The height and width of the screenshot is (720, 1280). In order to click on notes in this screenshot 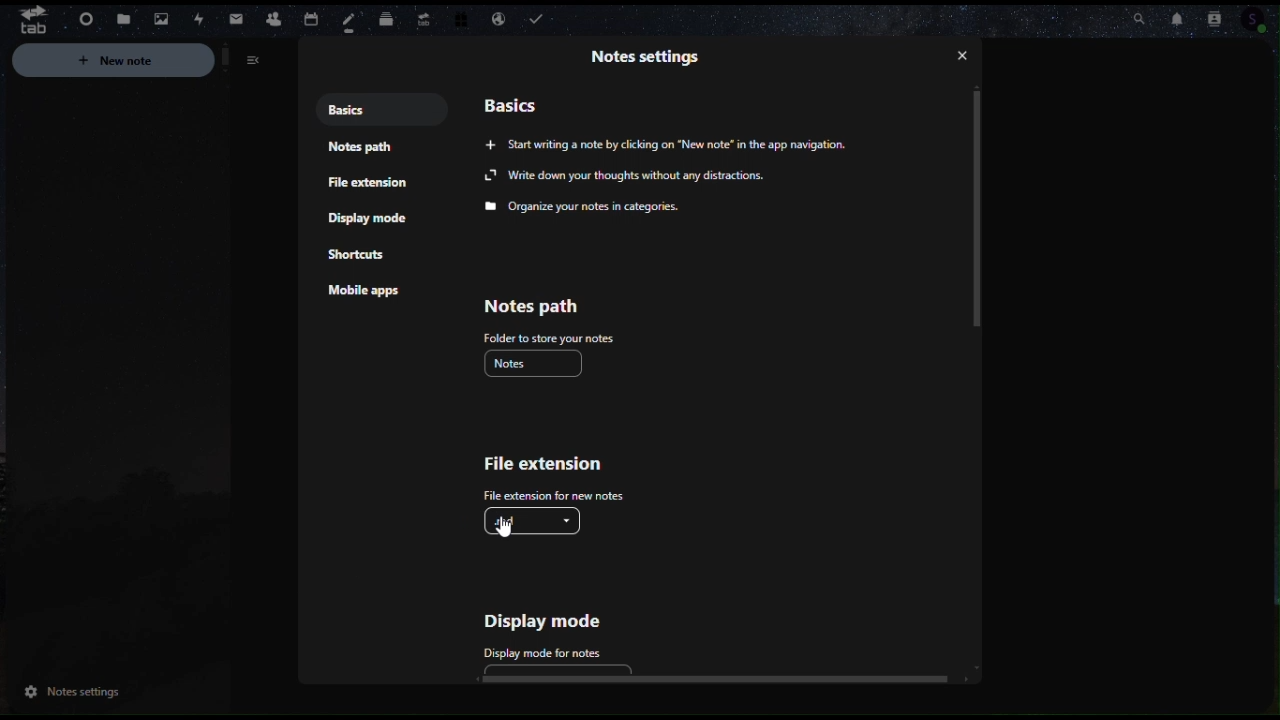, I will do `click(533, 364)`.